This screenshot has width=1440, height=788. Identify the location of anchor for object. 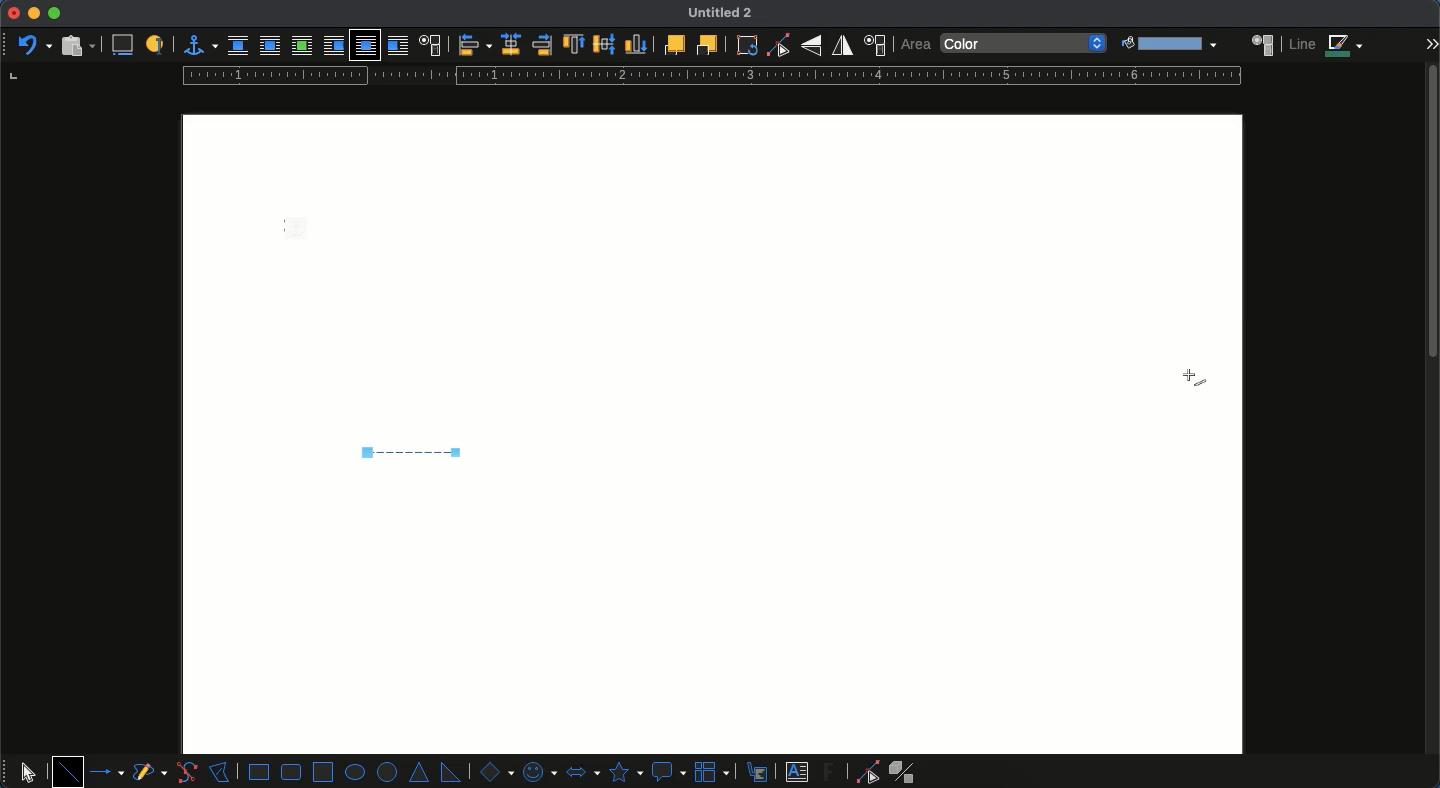
(195, 45).